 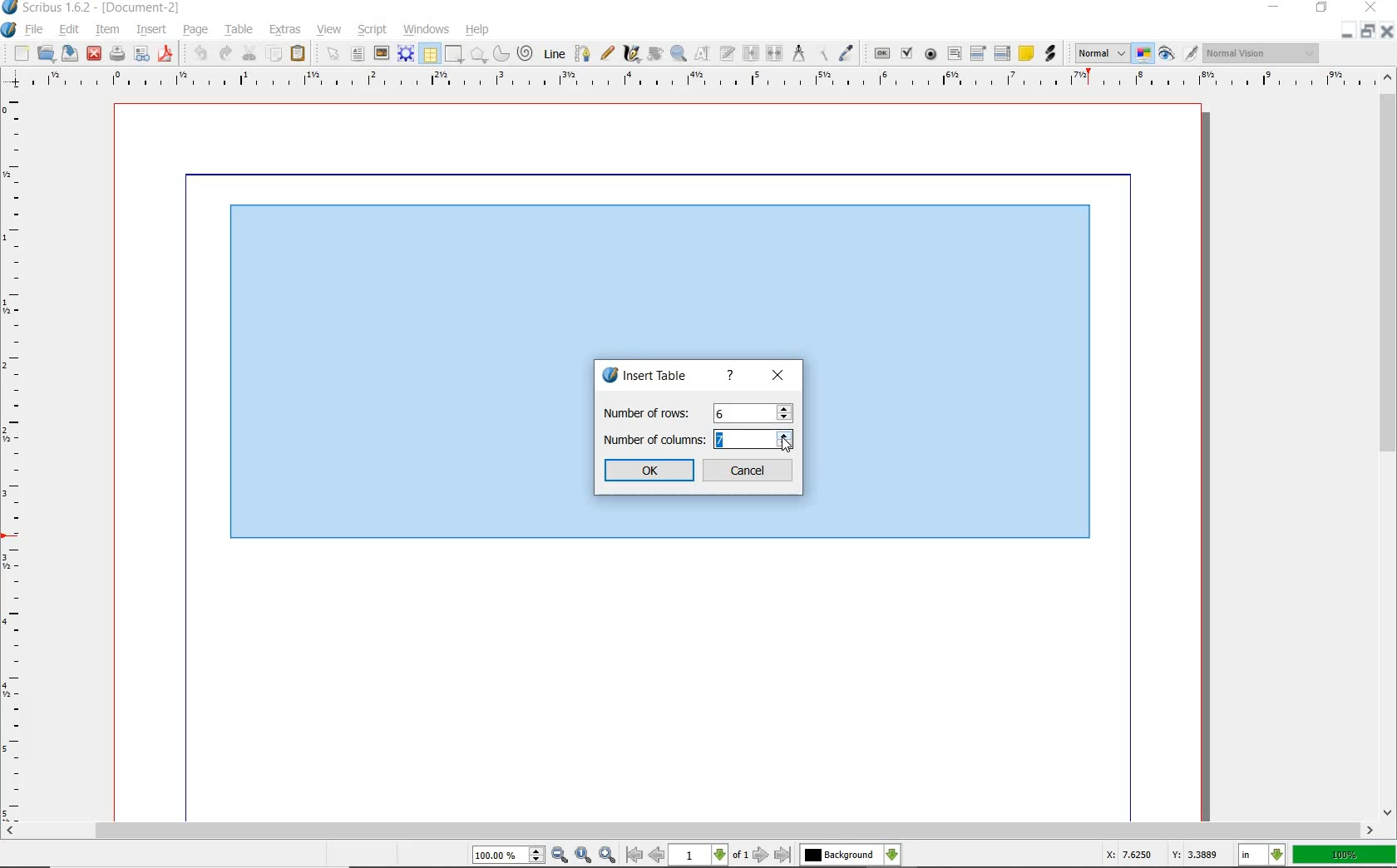 What do you see at coordinates (430, 54) in the screenshot?
I see `table` at bounding box center [430, 54].